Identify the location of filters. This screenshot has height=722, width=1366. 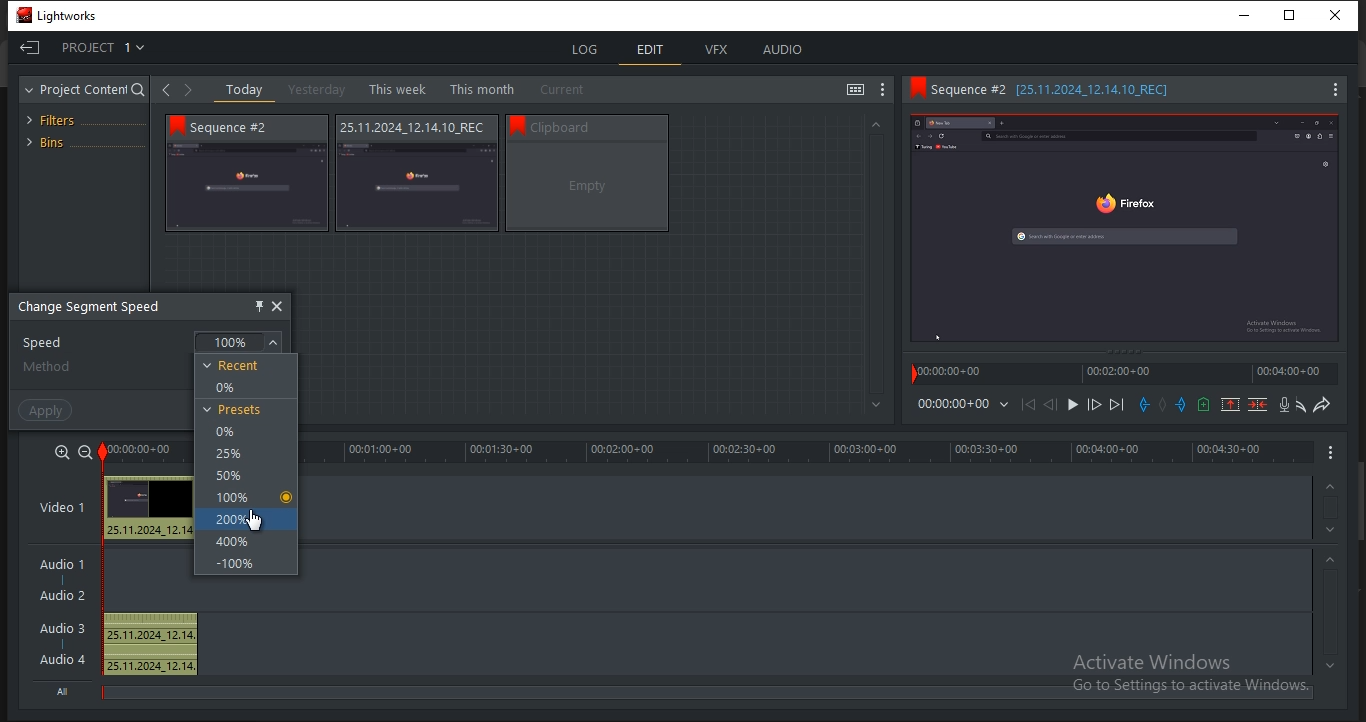
(60, 118).